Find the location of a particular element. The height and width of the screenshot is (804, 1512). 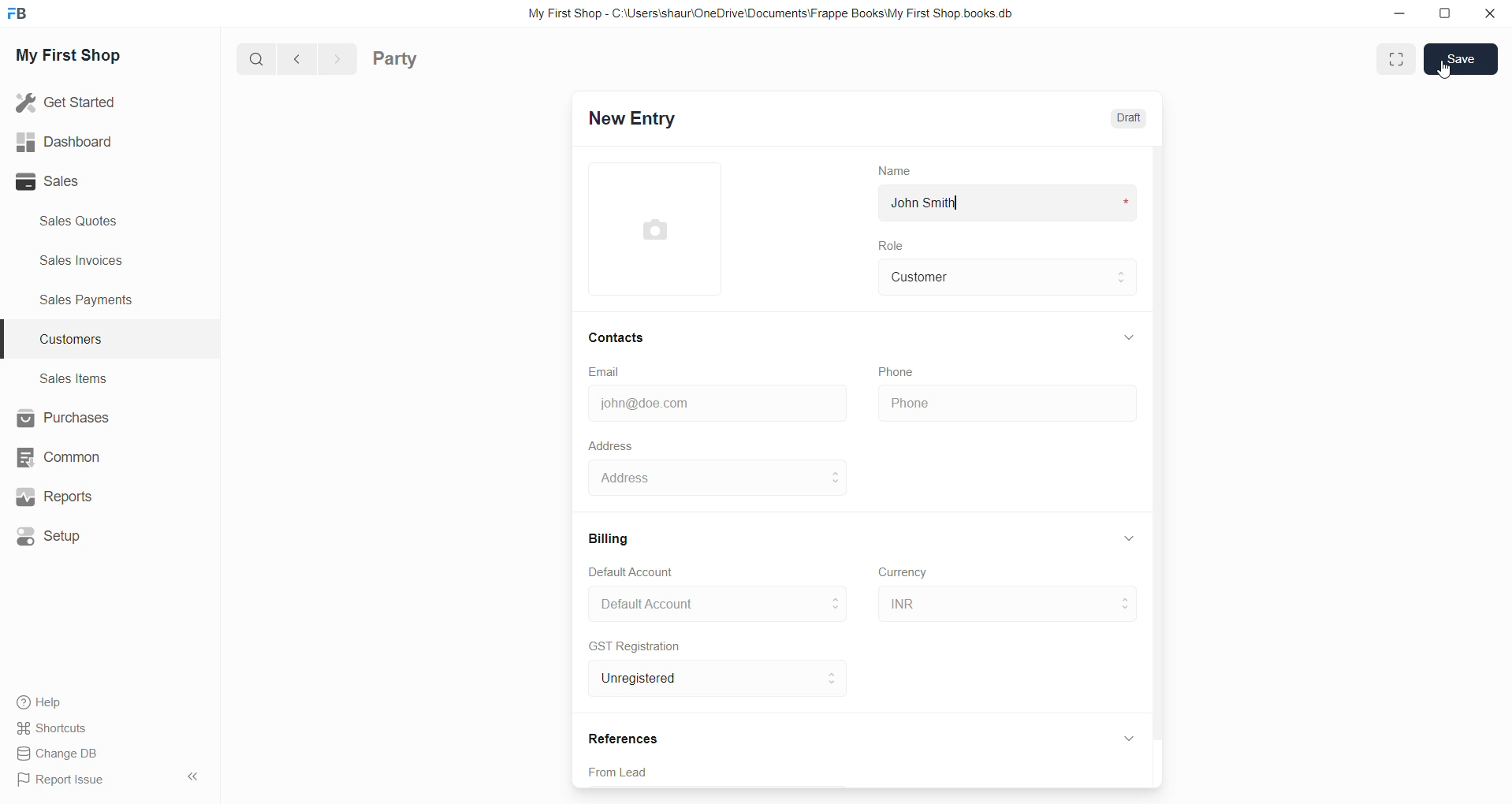

Reports is located at coordinates (54, 497).